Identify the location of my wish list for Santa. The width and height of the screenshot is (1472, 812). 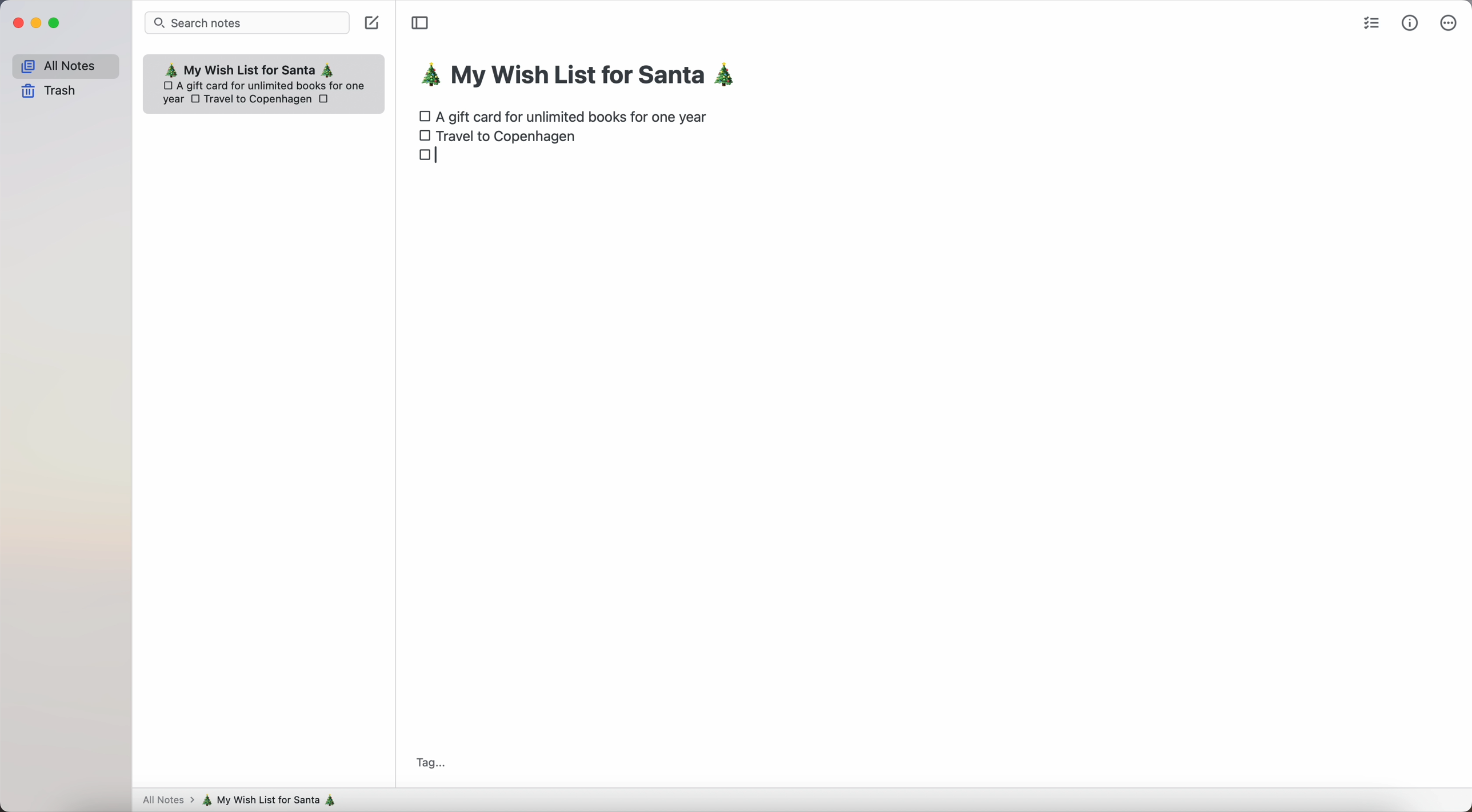
(274, 800).